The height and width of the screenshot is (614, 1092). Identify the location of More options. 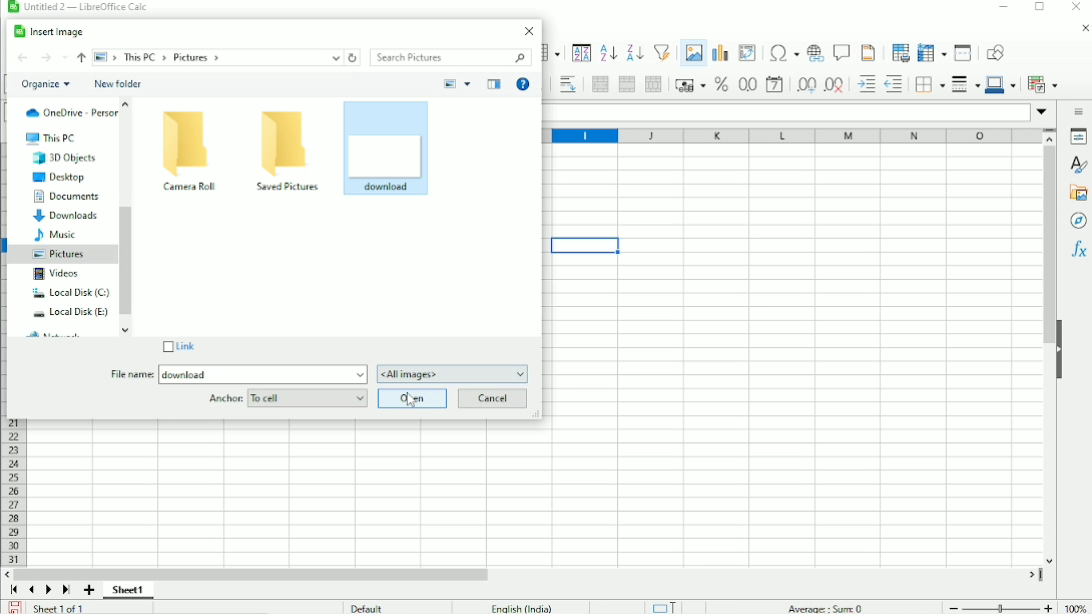
(467, 83).